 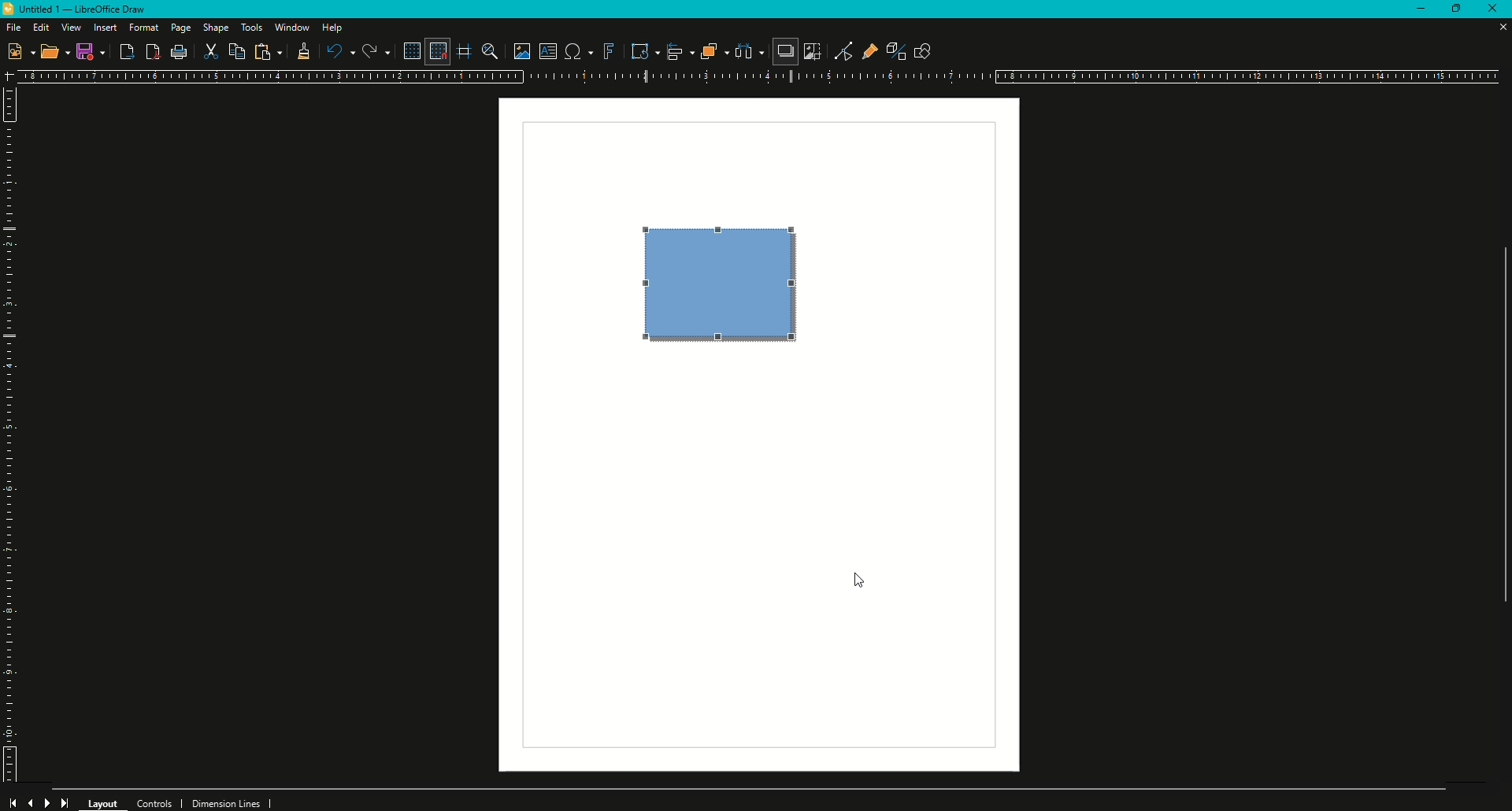 I want to click on Export, so click(x=126, y=53).